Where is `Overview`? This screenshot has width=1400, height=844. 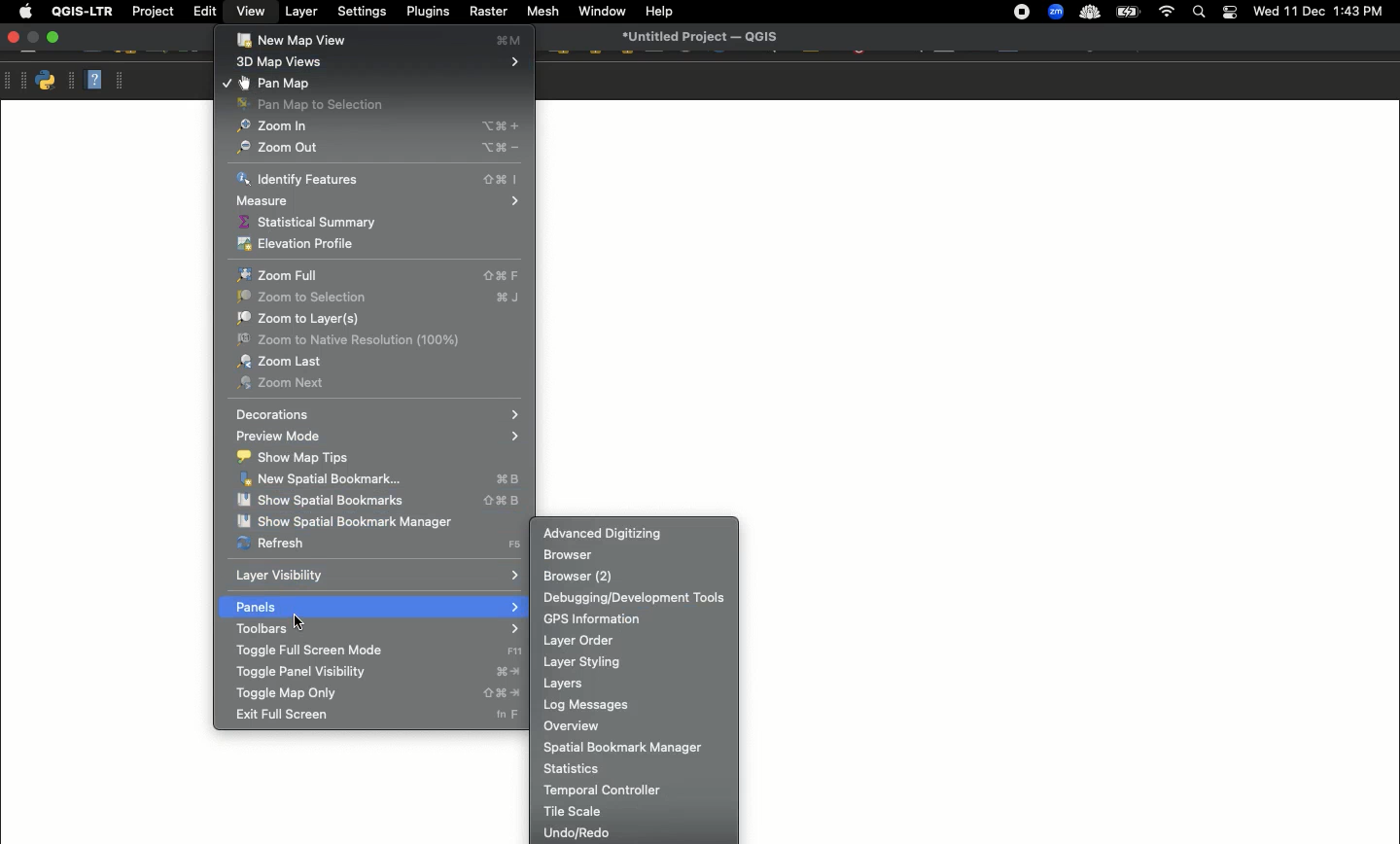 Overview is located at coordinates (633, 727).